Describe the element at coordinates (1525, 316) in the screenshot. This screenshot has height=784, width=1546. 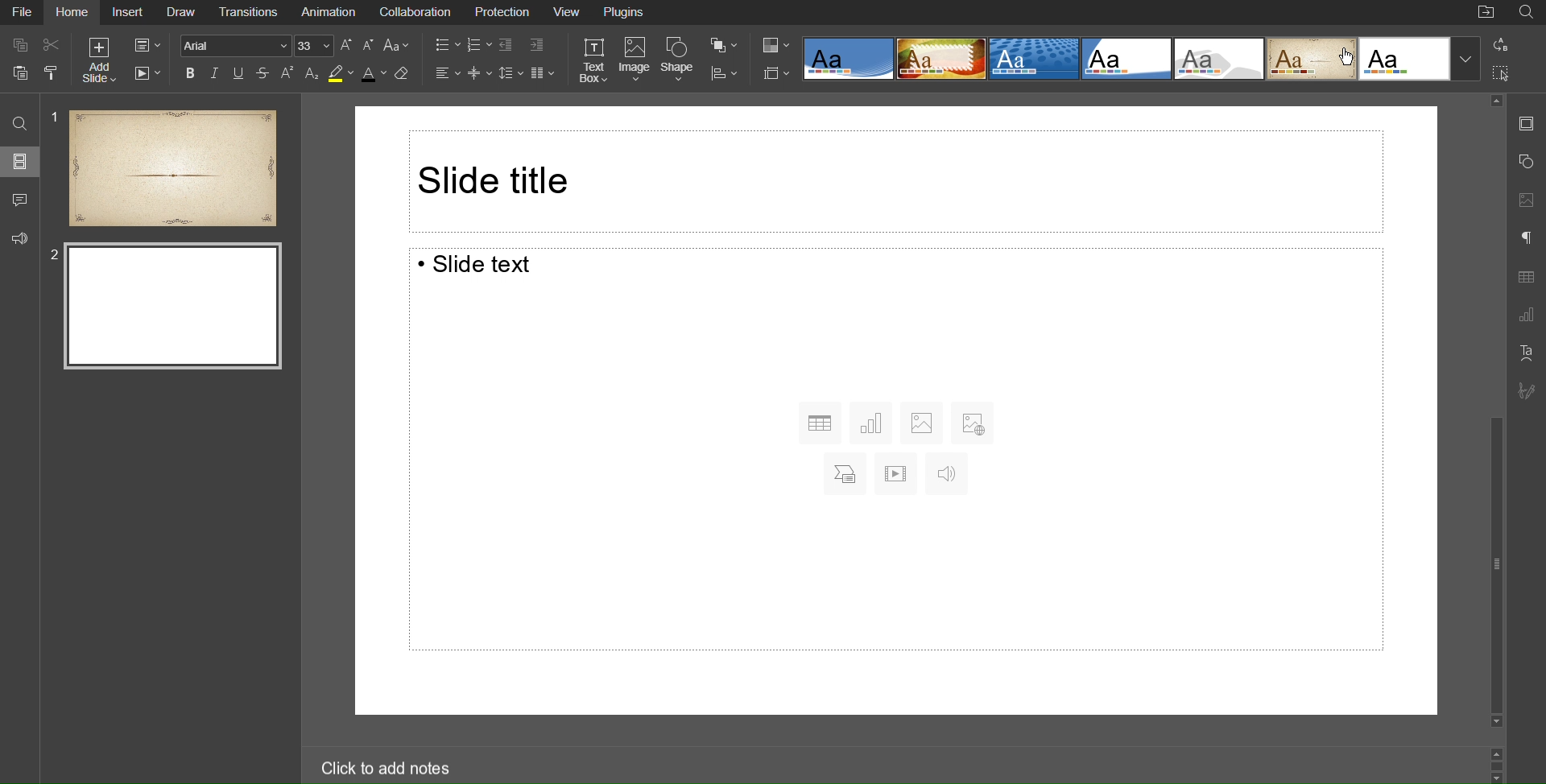
I see `Graph` at that location.